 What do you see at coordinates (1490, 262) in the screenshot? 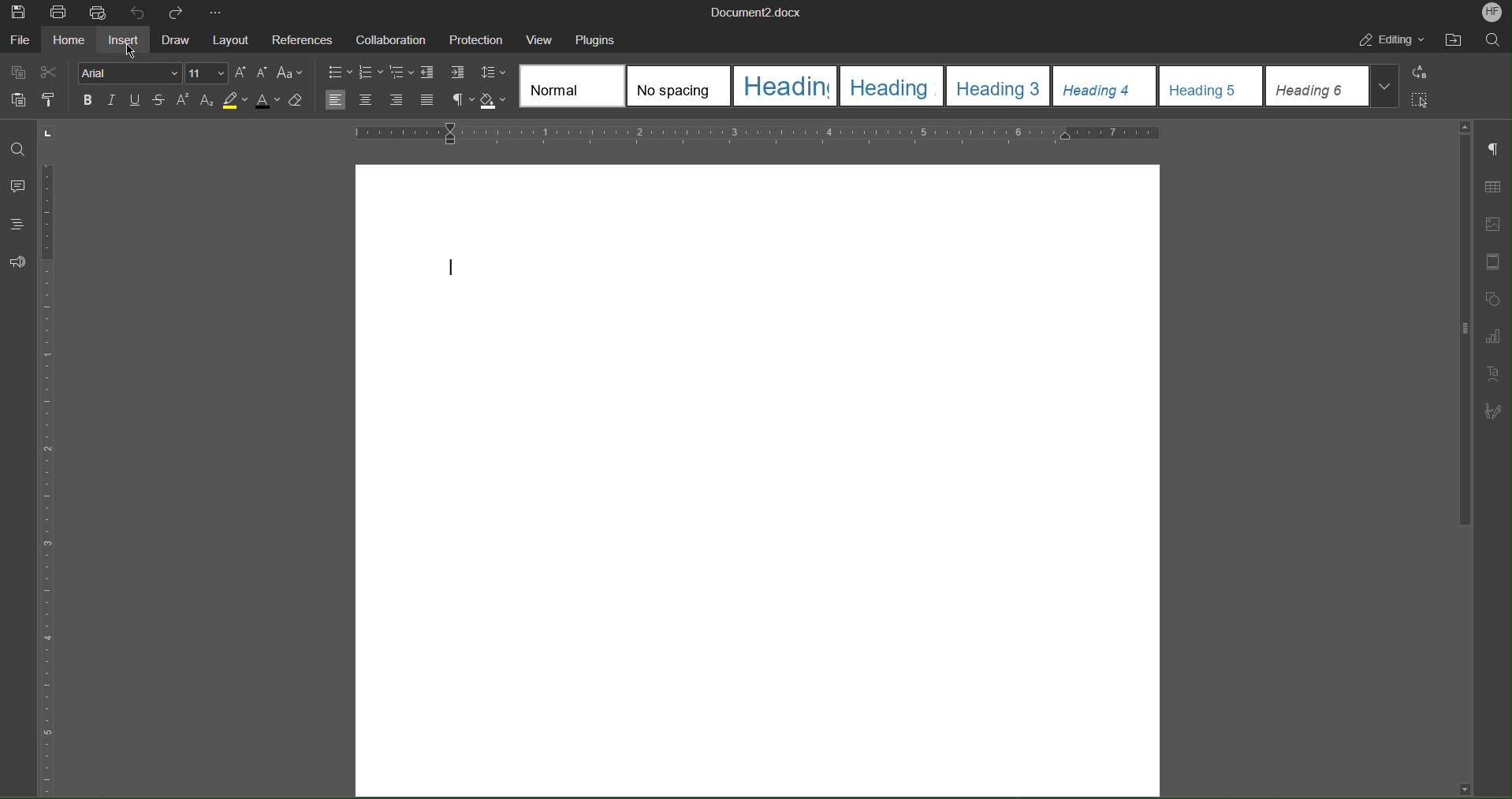
I see `Header/Footer` at bounding box center [1490, 262].